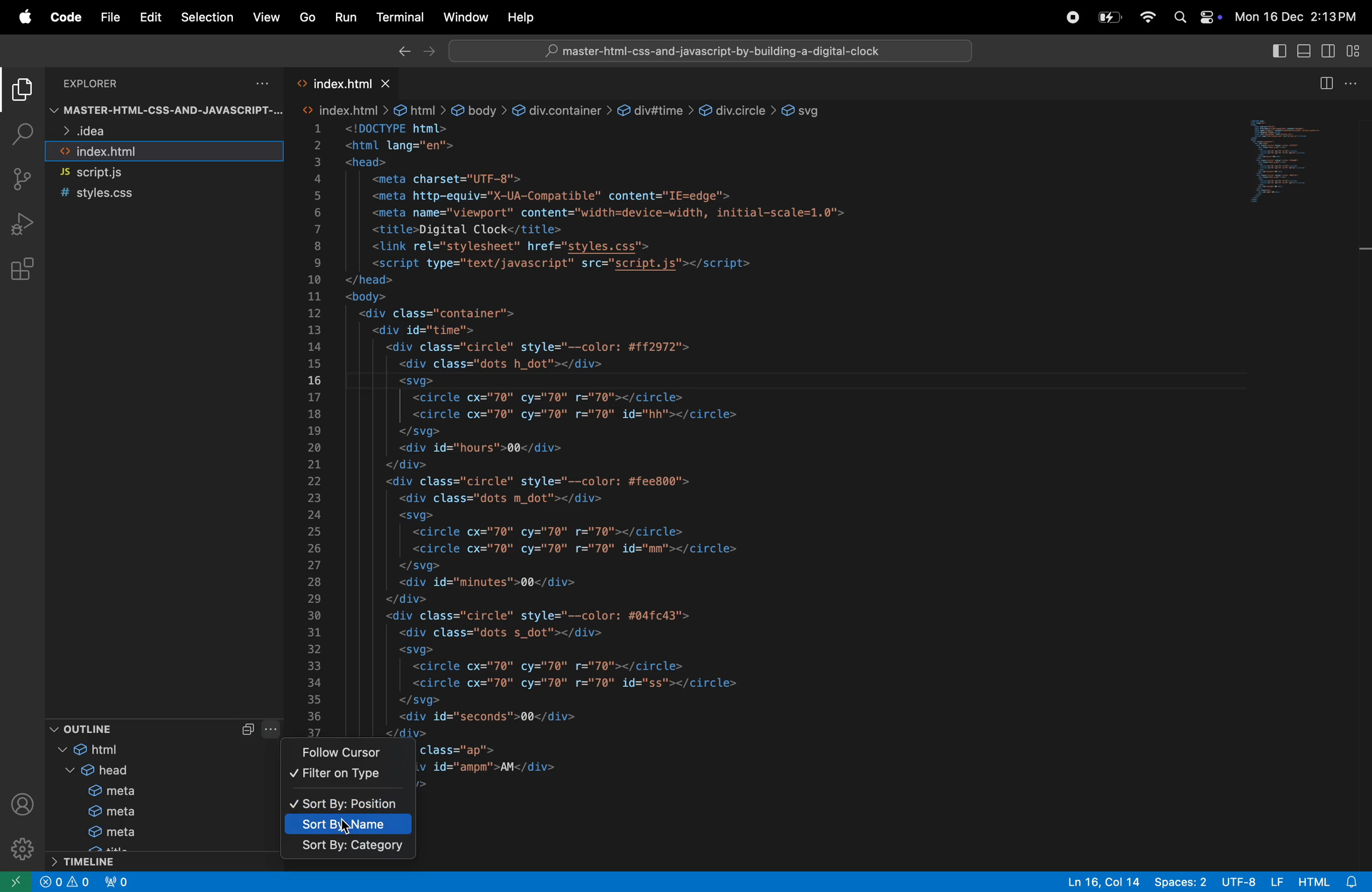  What do you see at coordinates (120, 881) in the screenshot?
I see `no ports forwarded` at bounding box center [120, 881].